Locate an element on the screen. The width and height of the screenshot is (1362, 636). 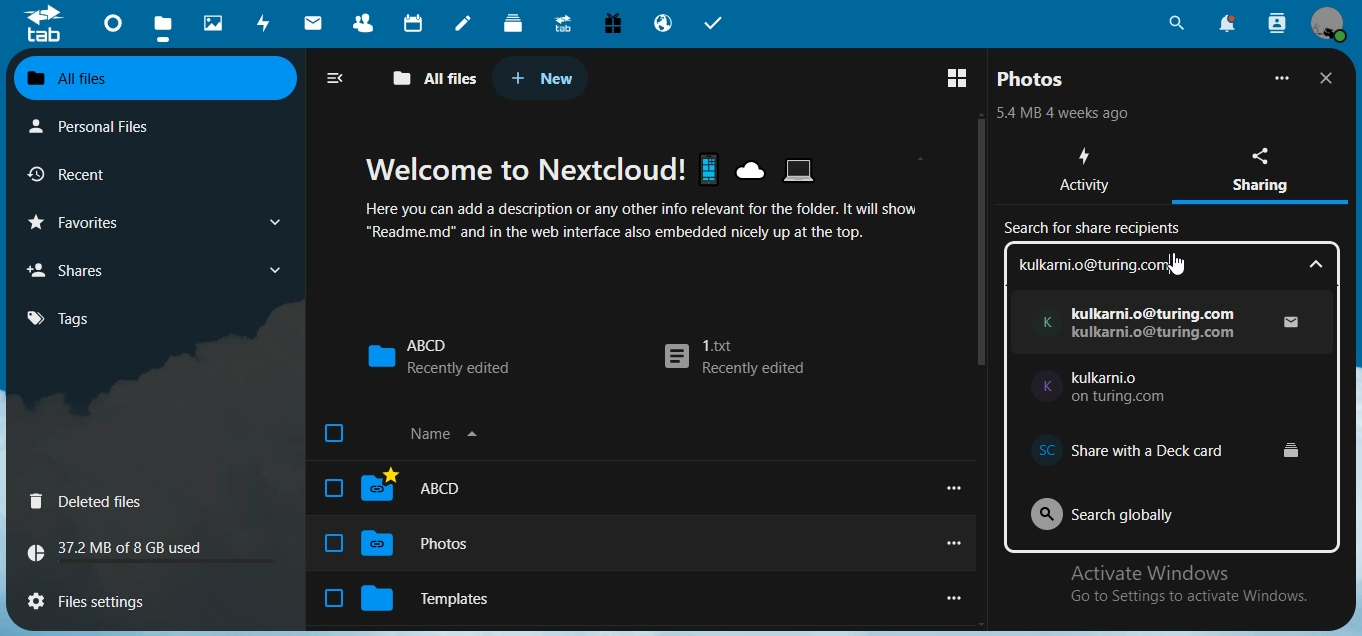
more options is located at coordinates (956, 598).